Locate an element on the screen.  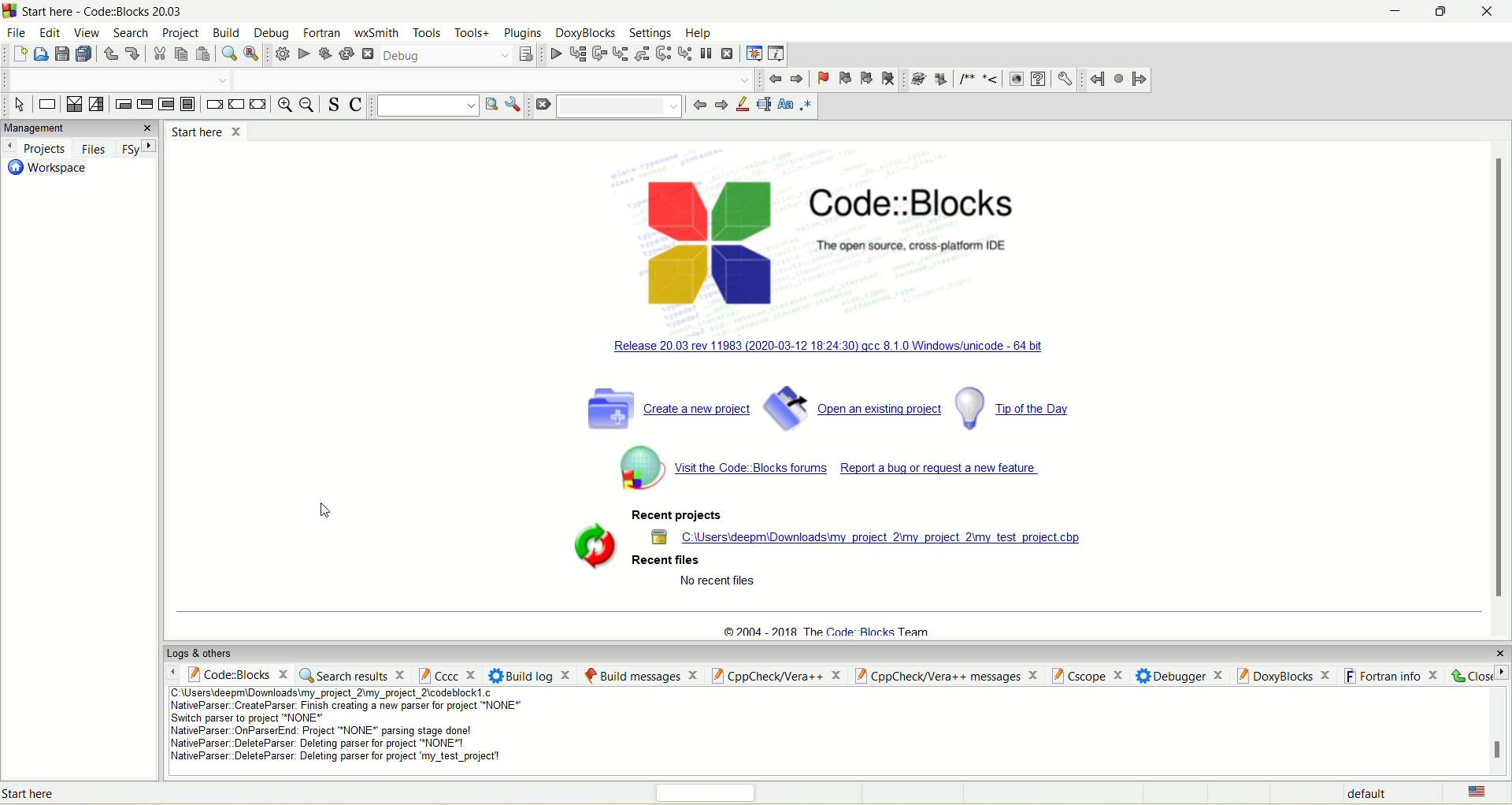
fortran is located at coordinates (323, 29).